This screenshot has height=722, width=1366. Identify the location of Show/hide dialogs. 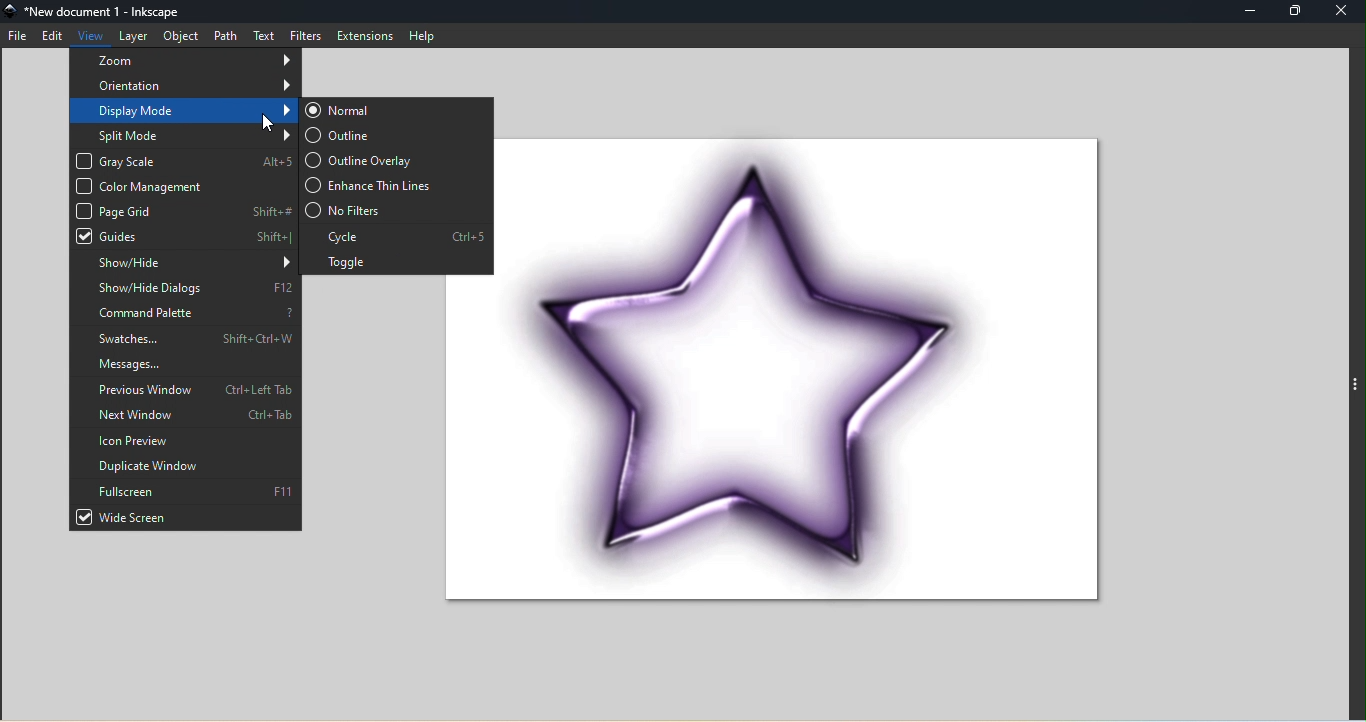
(185, 288).